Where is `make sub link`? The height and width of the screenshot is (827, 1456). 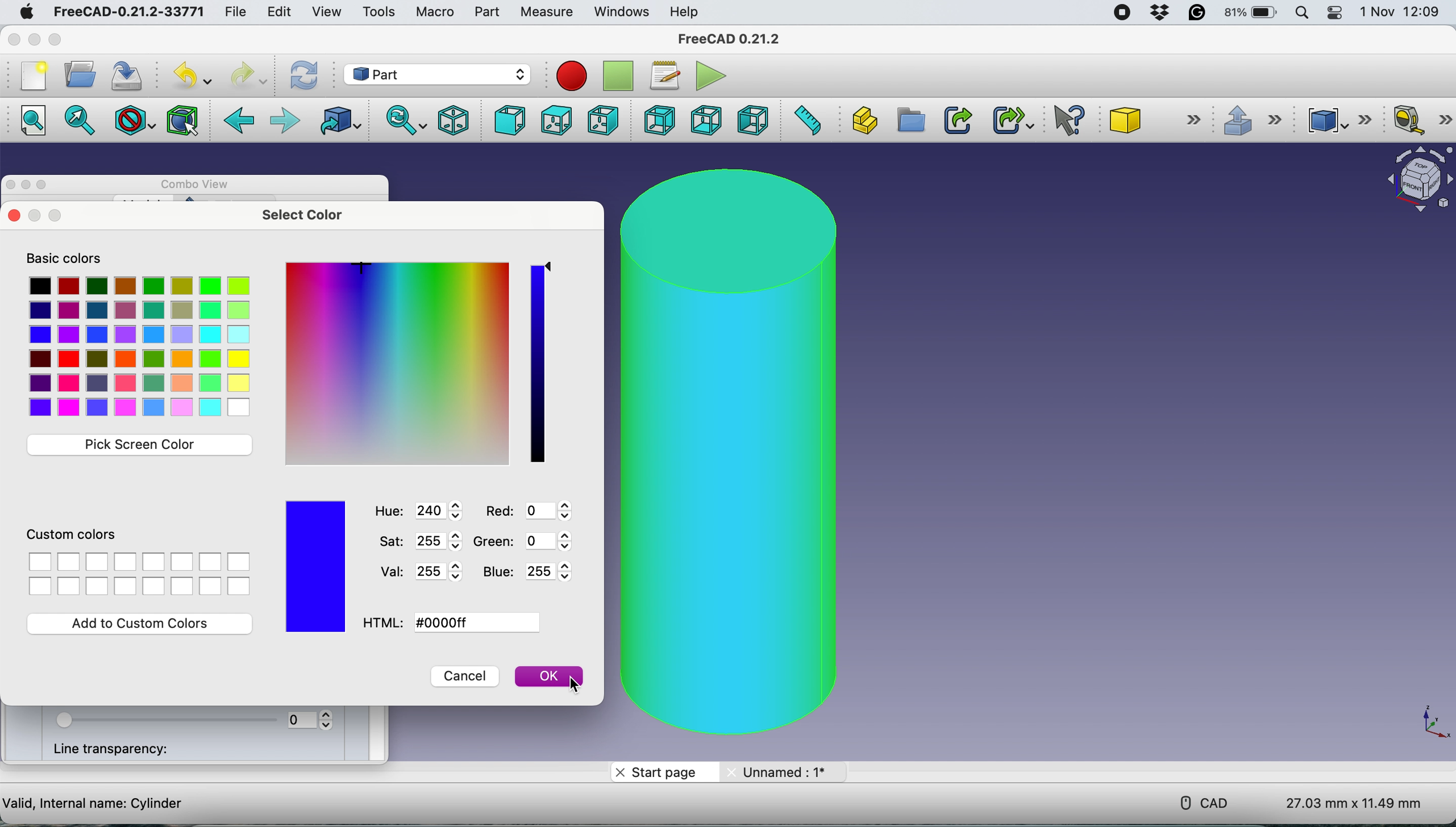
make sub link is located at coordinates (1009, 119).